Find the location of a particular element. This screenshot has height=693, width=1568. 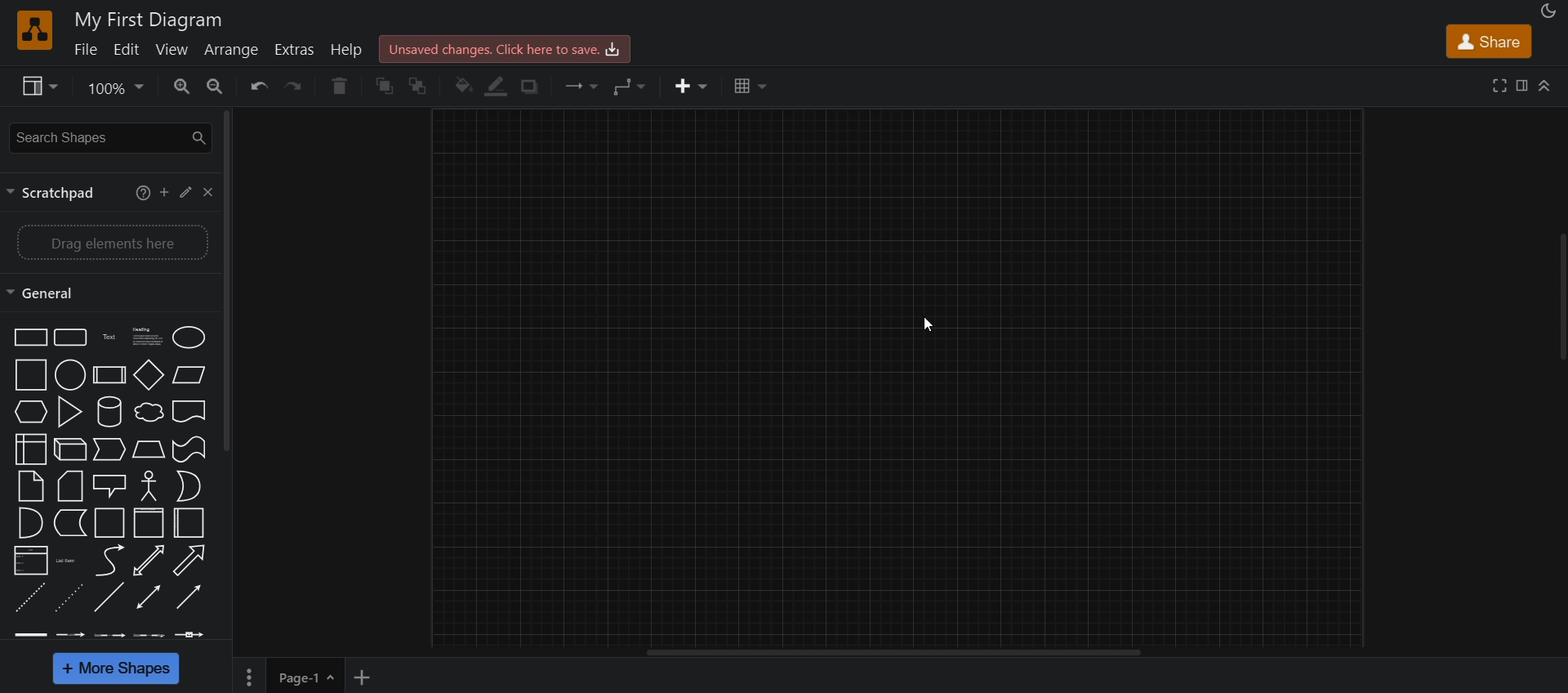

drag elements here is located at coordinates (111, 240).